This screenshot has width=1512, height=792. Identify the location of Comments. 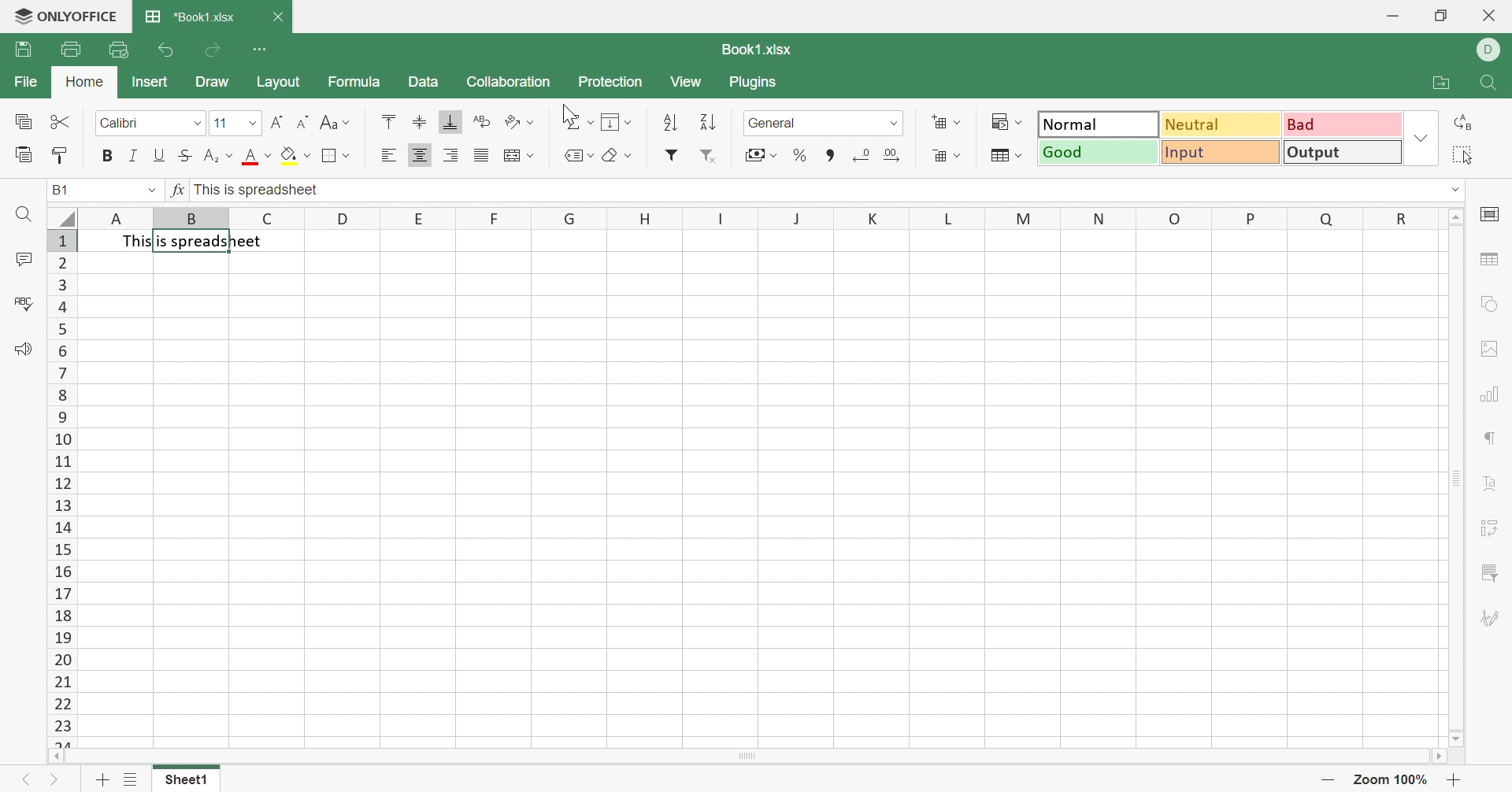
(23, 259).